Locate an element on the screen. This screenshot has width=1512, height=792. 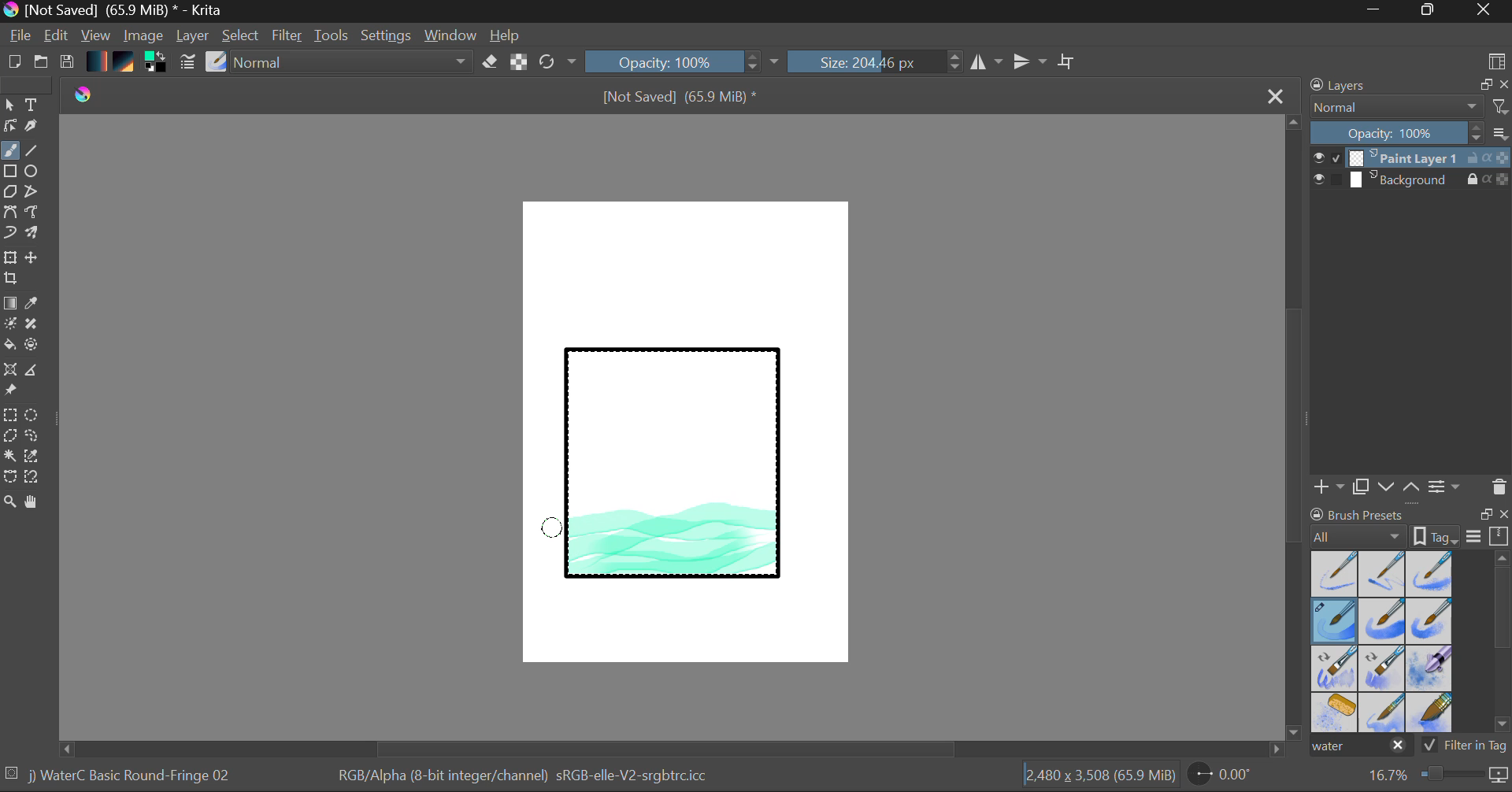
Copy Layer is located at coordinates (1362, 487).